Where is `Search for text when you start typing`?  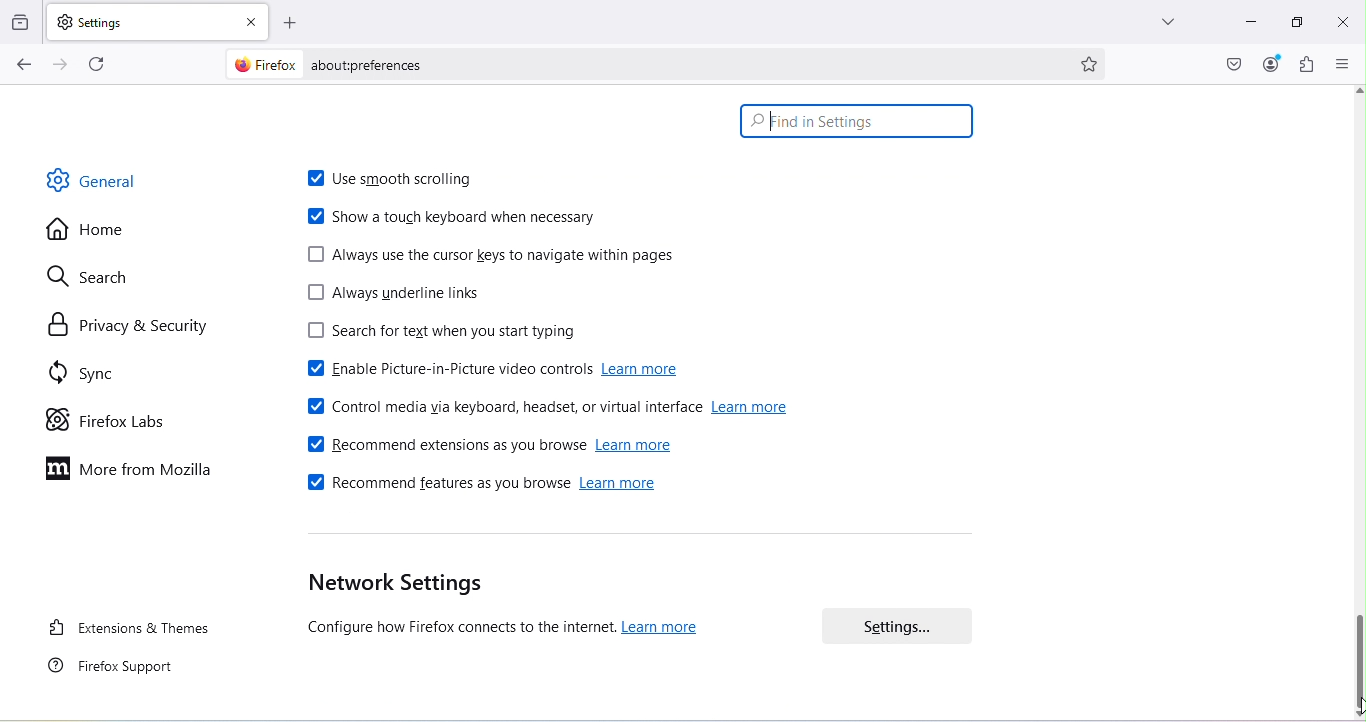 Search for text when you start typing is located at coordinates (466, 331).